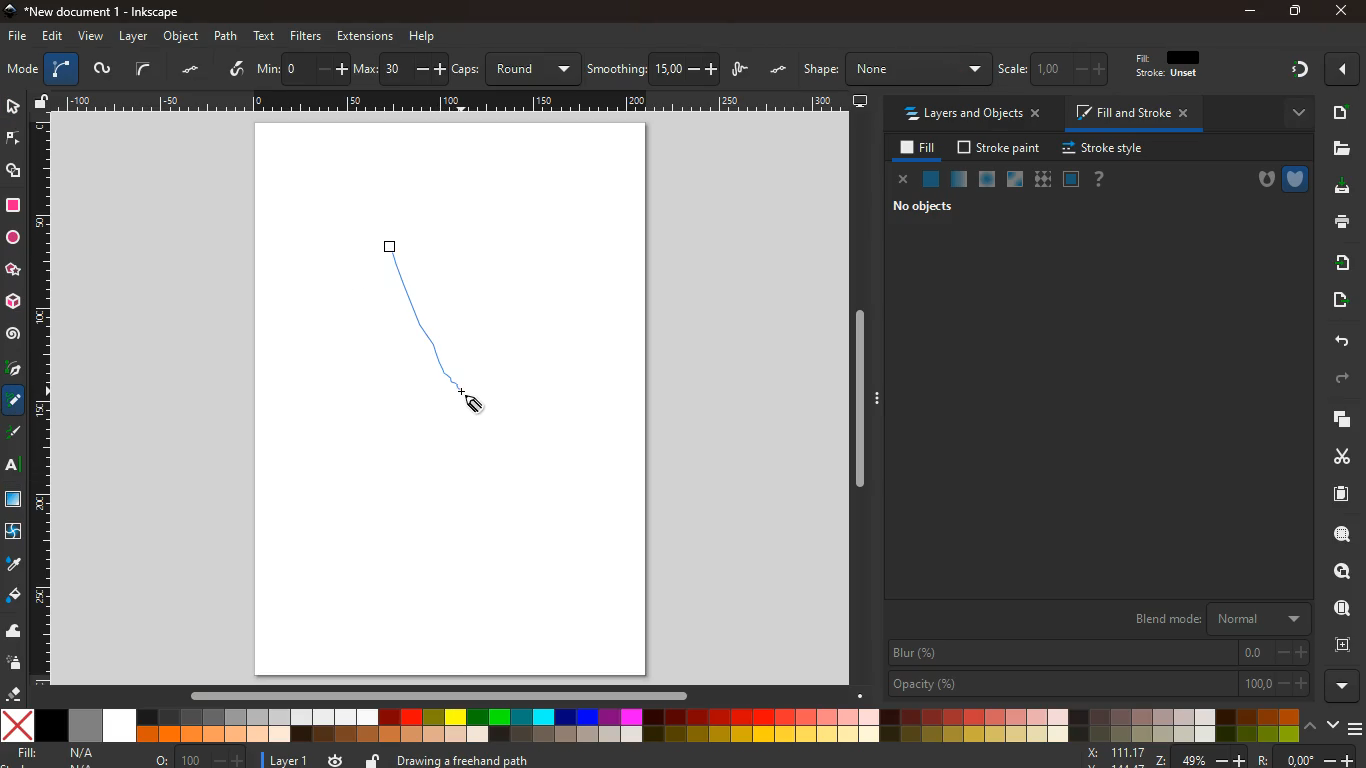 The height and width of the screenshot is (768, 1366). Describe the element at coordinates (92, 37) in the screenshot. I see `view` at that location.